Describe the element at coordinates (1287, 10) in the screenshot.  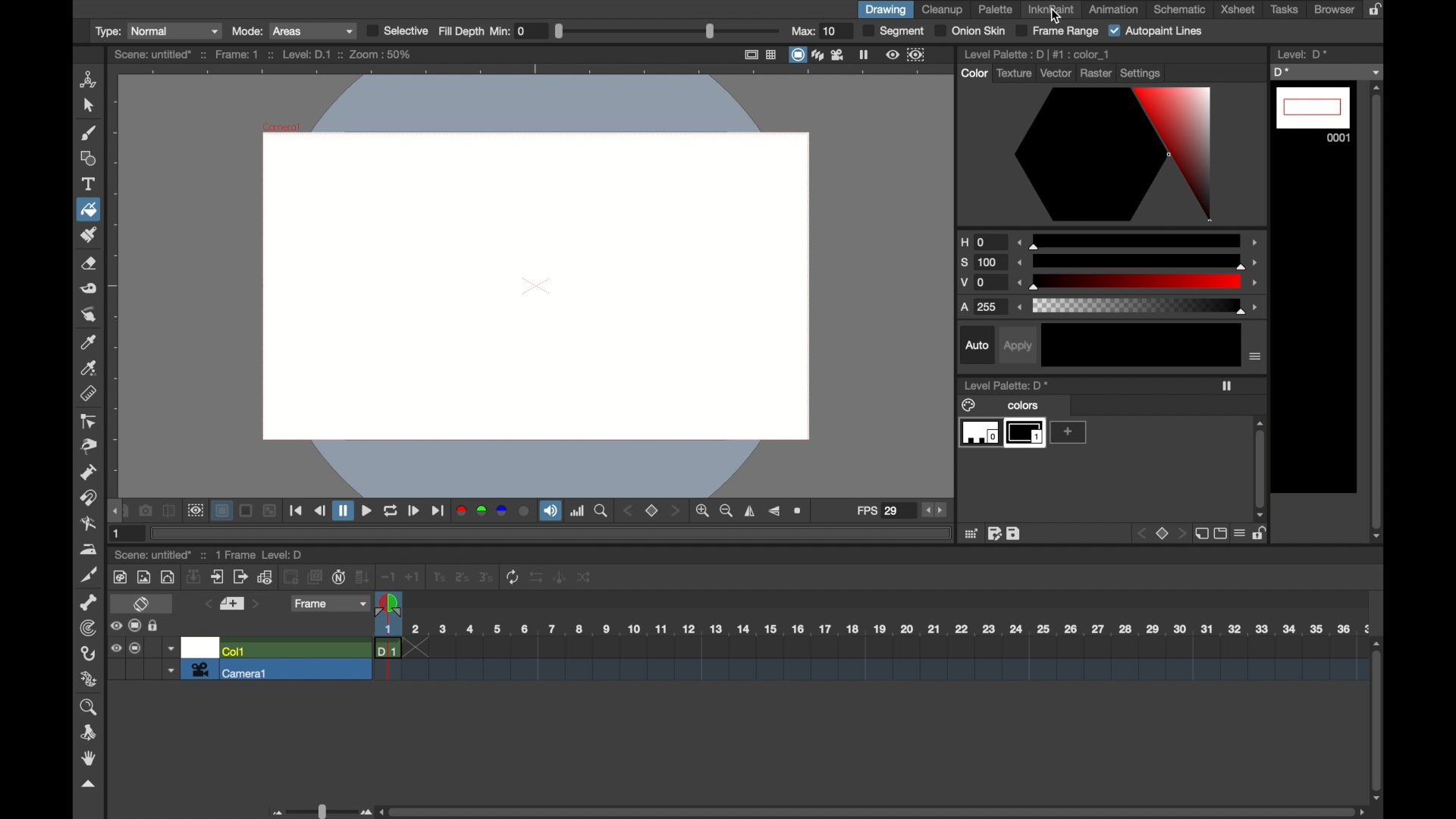
I see `tasks` at that location.